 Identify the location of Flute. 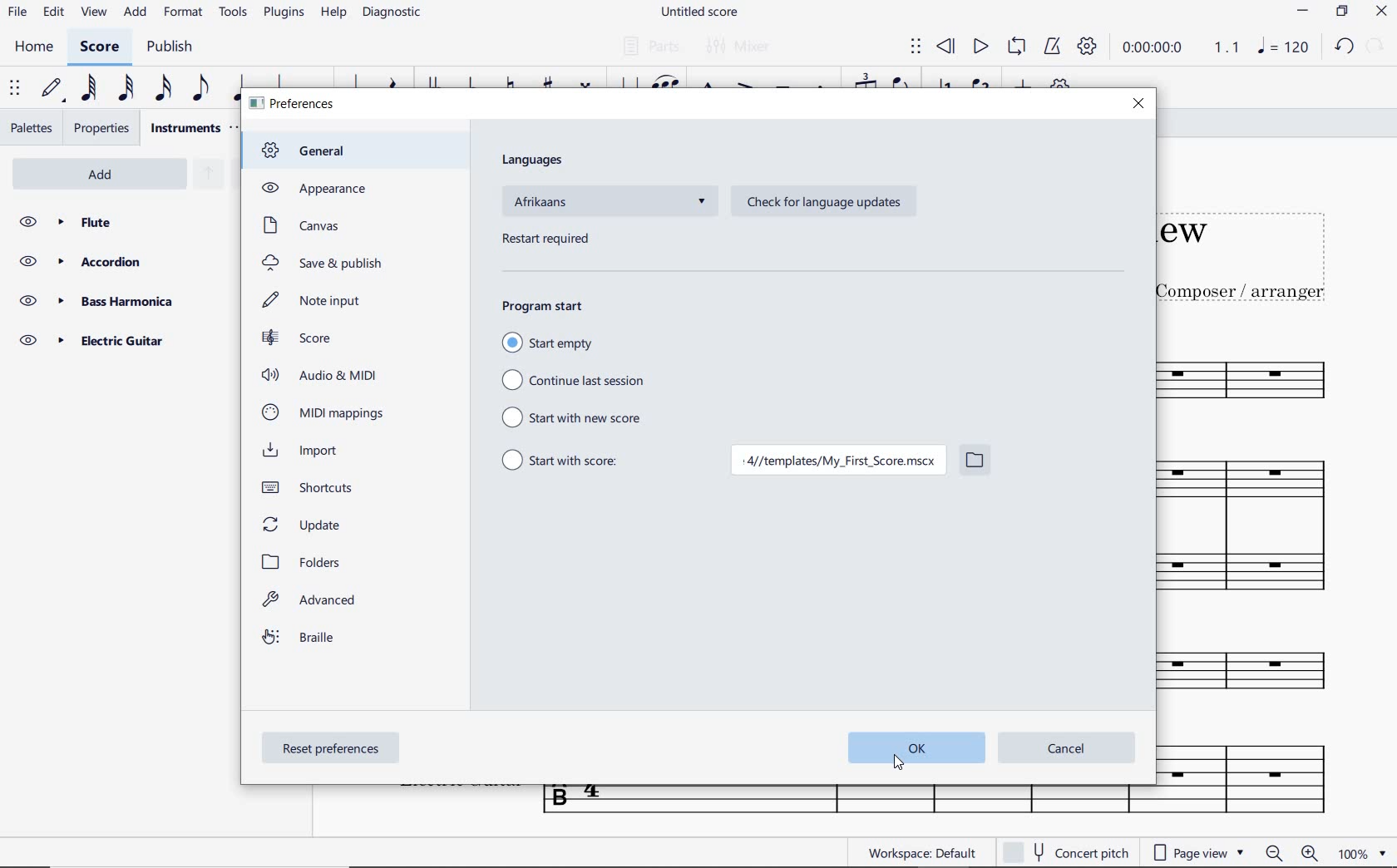
(123, 222).